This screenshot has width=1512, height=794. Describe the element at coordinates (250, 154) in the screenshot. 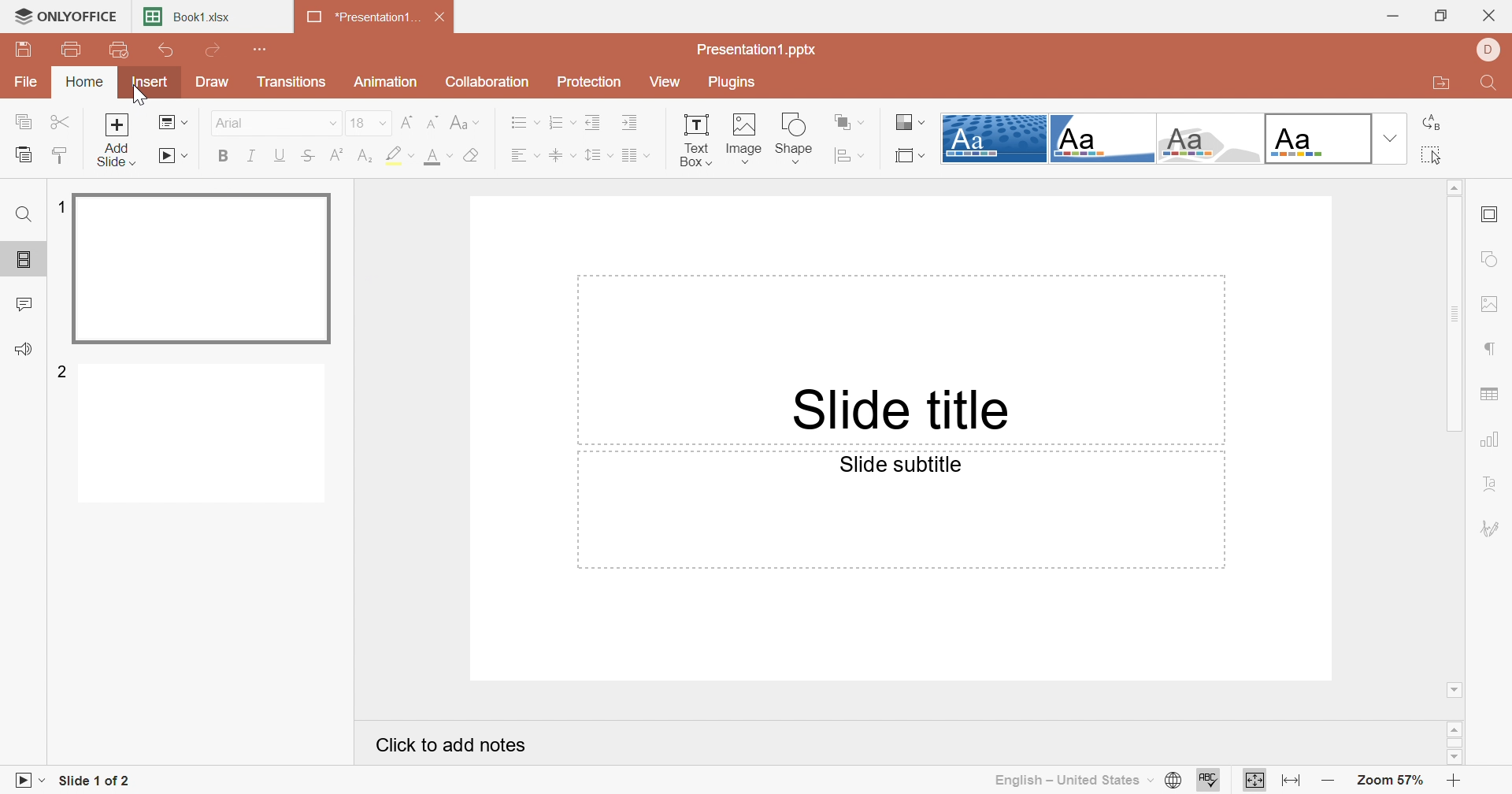

I see `Italic` at that location.